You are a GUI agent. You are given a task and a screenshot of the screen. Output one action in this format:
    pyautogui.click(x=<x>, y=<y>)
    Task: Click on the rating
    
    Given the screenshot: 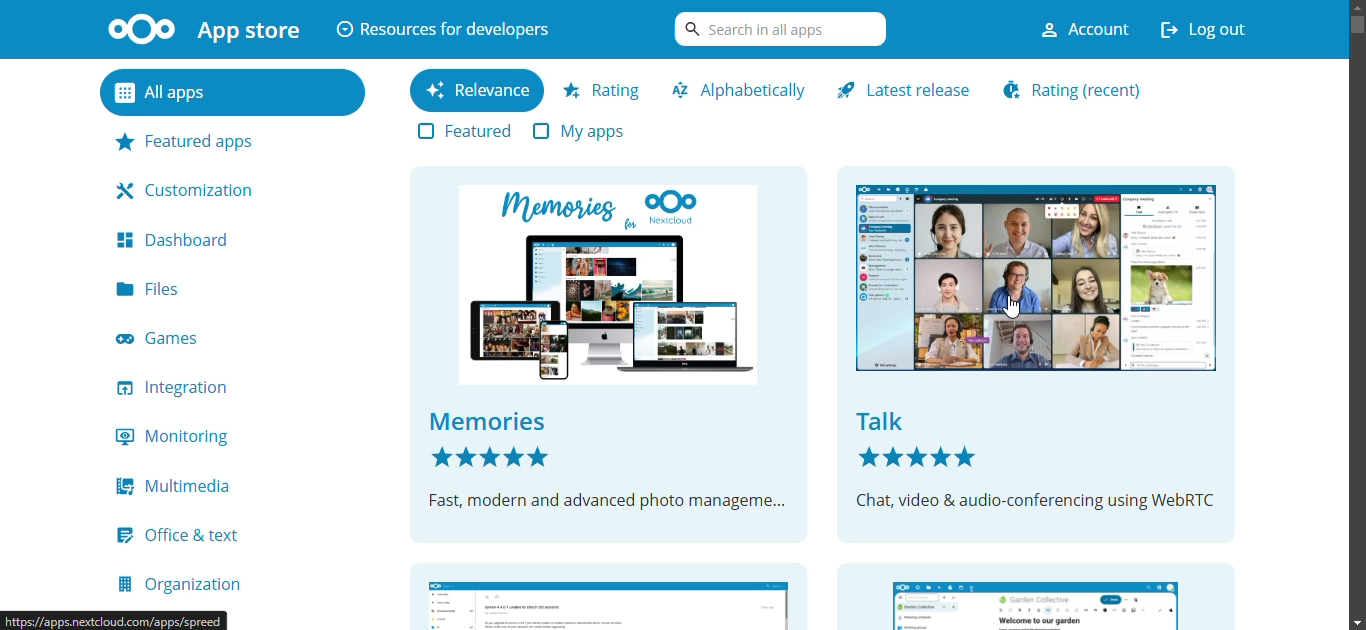 What is the action you would take?
    pyautogui.click(x=1082, y=90)
    